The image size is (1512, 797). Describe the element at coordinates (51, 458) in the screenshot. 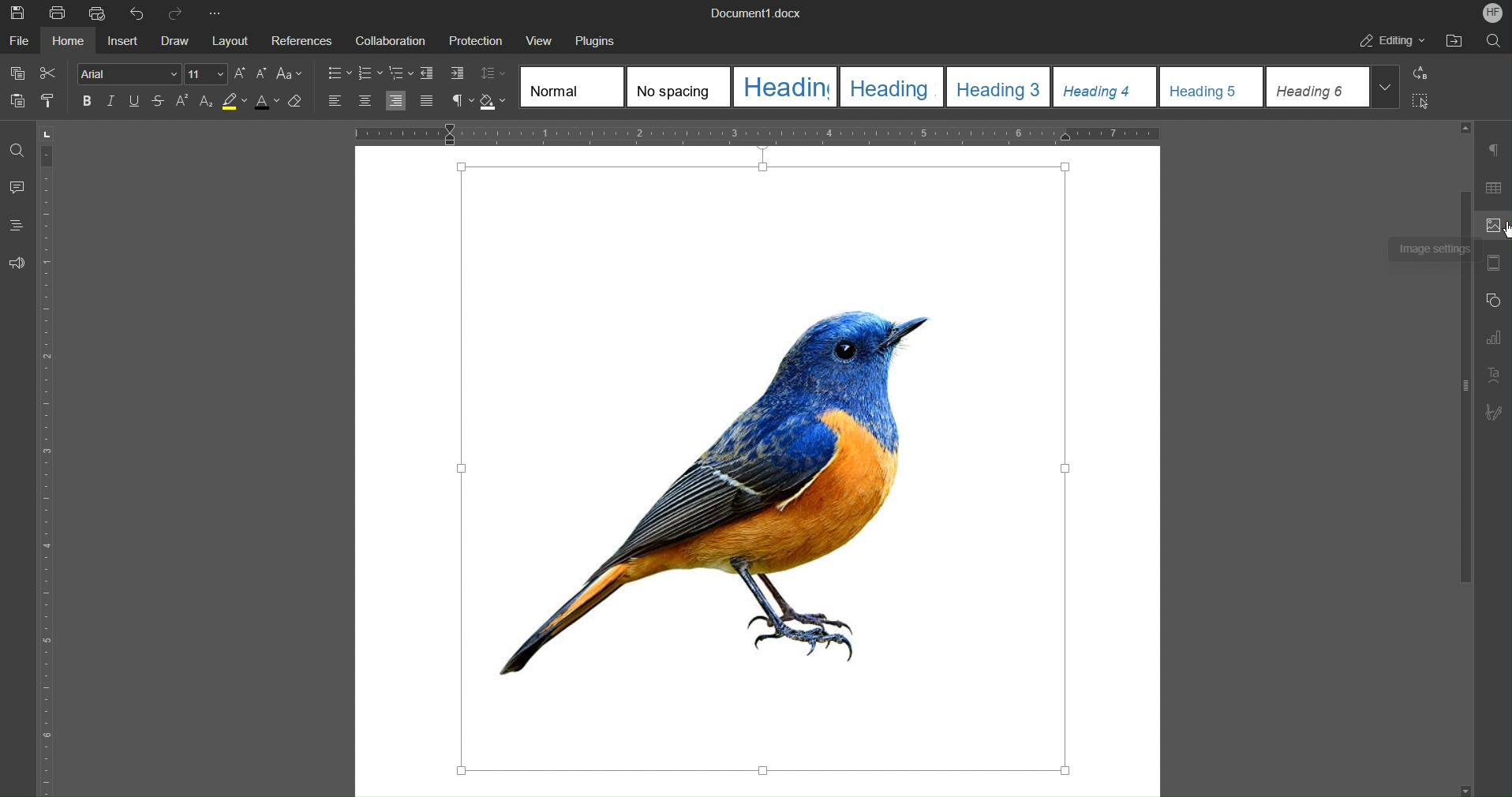

I see `Vertical Ruler` at that location.